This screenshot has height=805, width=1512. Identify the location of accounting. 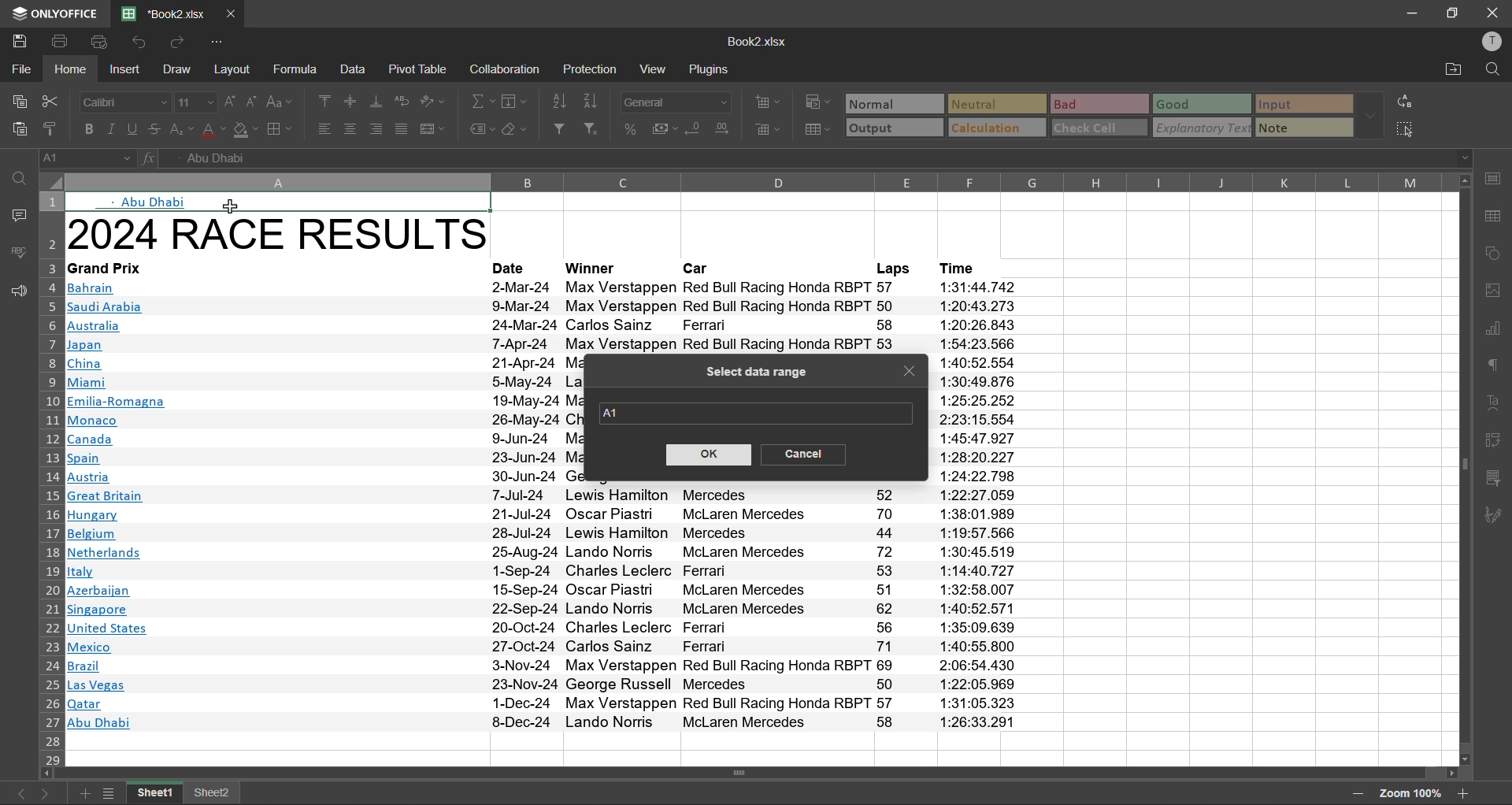
(664, 129).